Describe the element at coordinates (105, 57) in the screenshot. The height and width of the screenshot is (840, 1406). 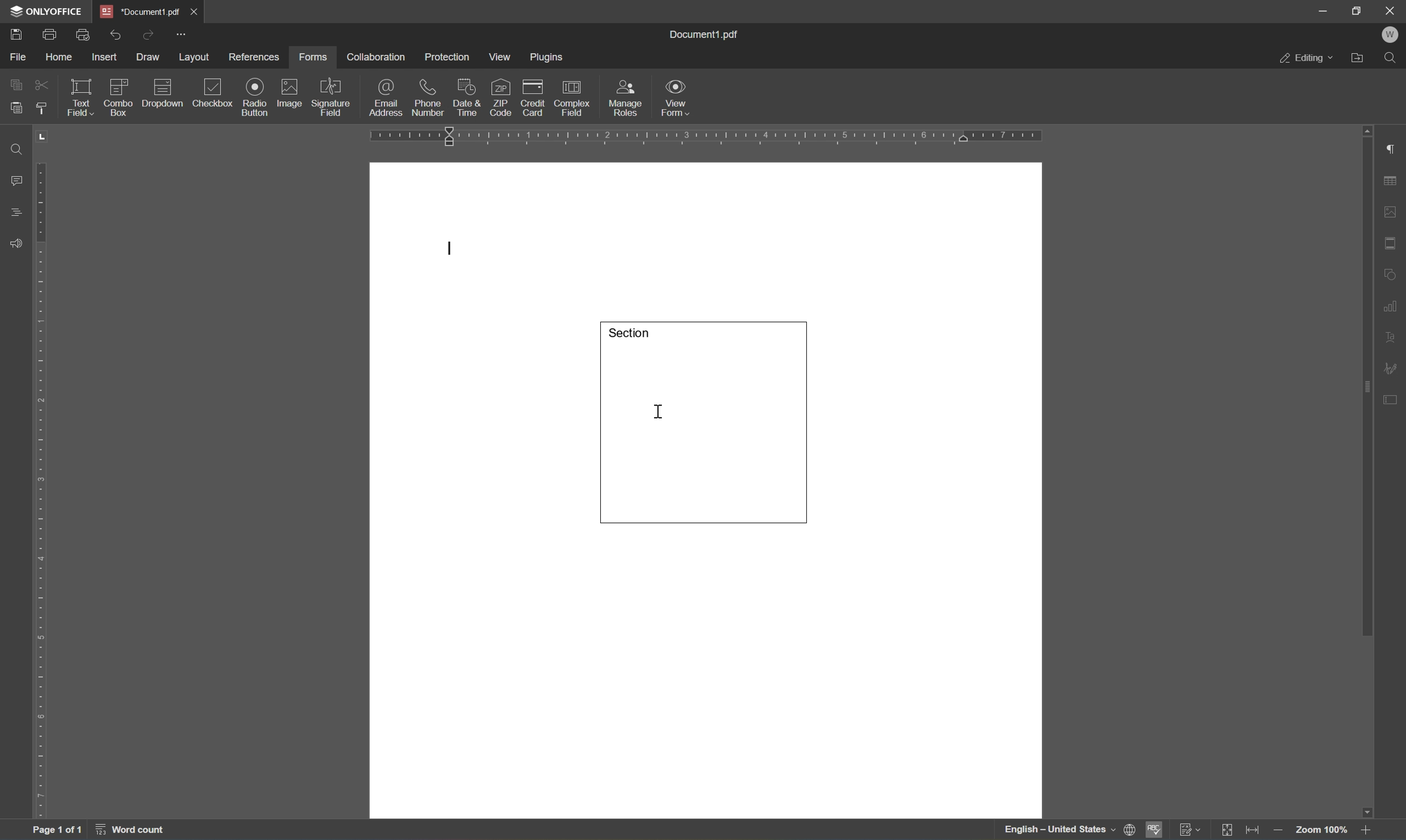
I see `insert` at that location.